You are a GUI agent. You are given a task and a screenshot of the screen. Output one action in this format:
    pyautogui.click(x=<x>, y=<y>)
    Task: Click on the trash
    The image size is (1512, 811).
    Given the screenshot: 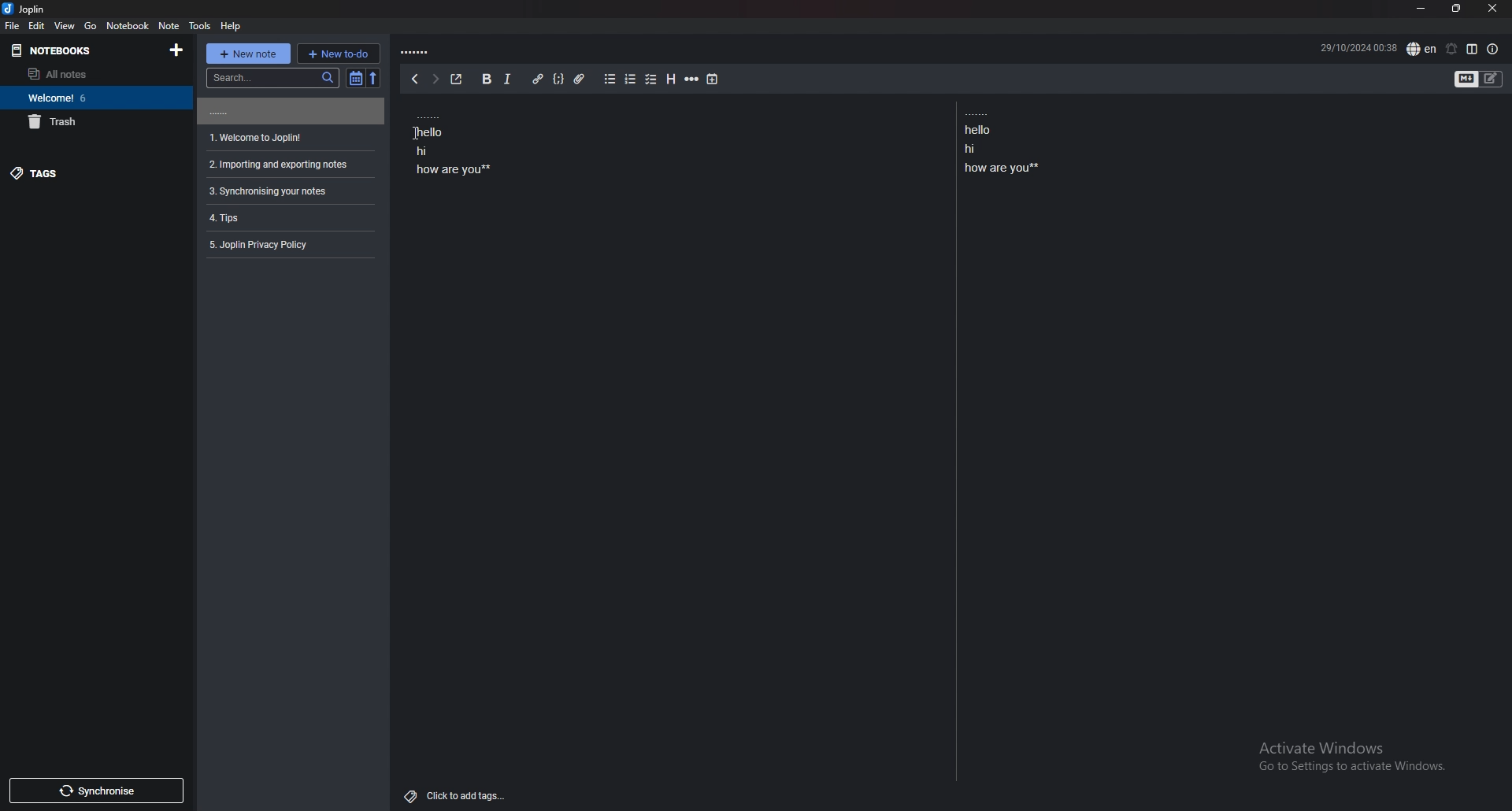 What is the action you would take?
    pyautogui.click(x=96, y=122)
    